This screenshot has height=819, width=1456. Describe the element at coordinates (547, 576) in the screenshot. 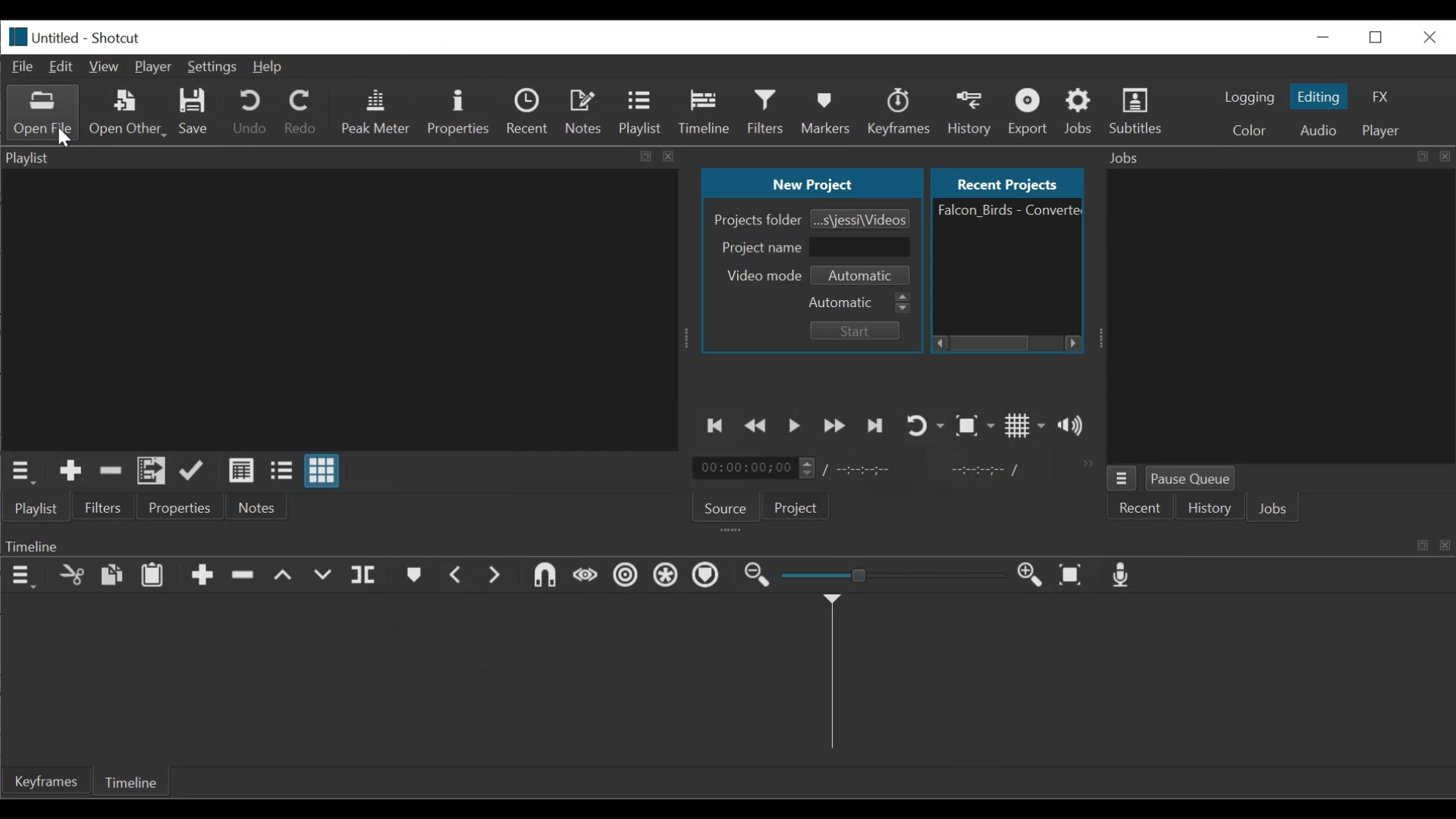

I see `Snap` at that location.